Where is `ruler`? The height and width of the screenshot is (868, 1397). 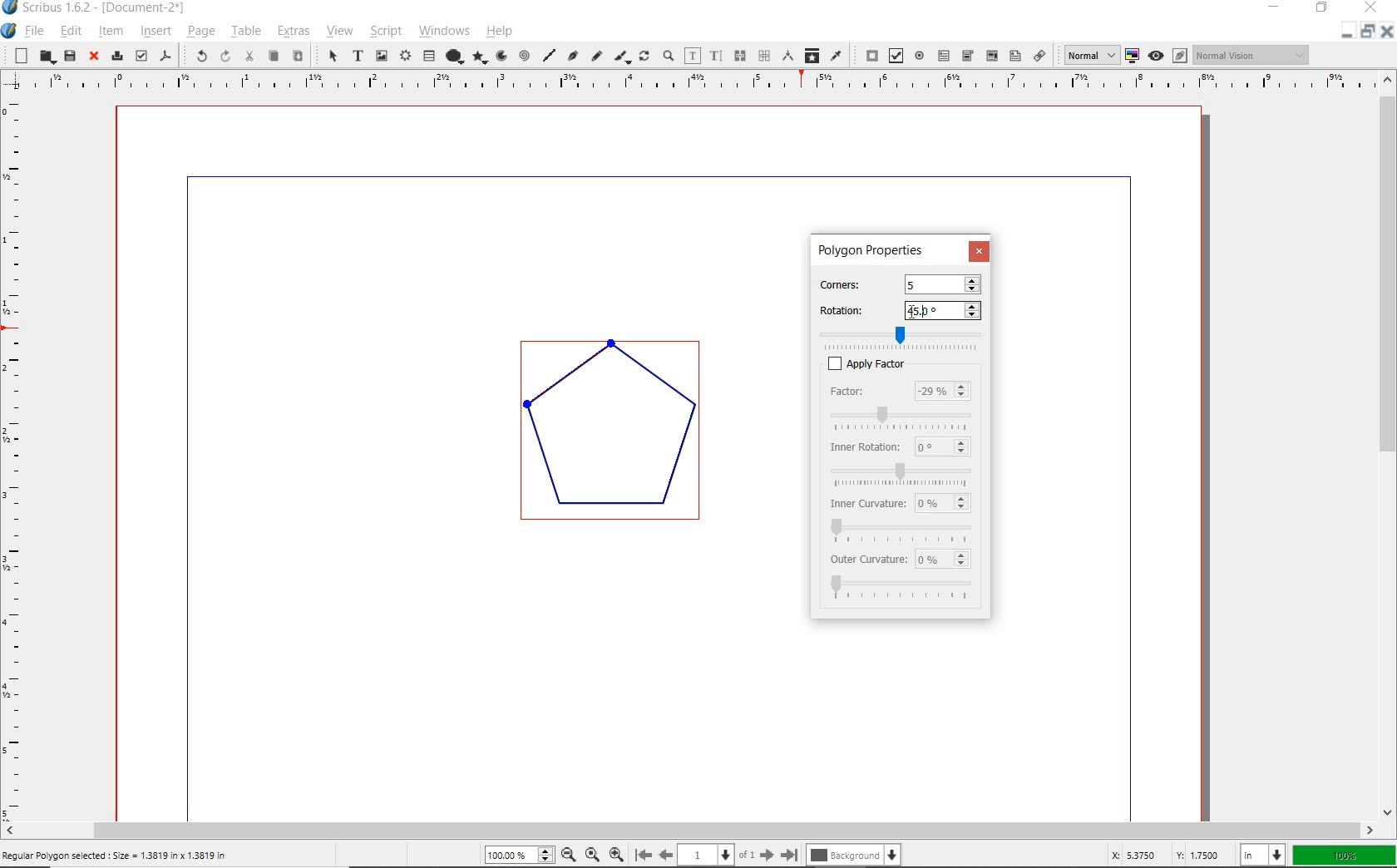 ruler is located at coordinates (698, 84).